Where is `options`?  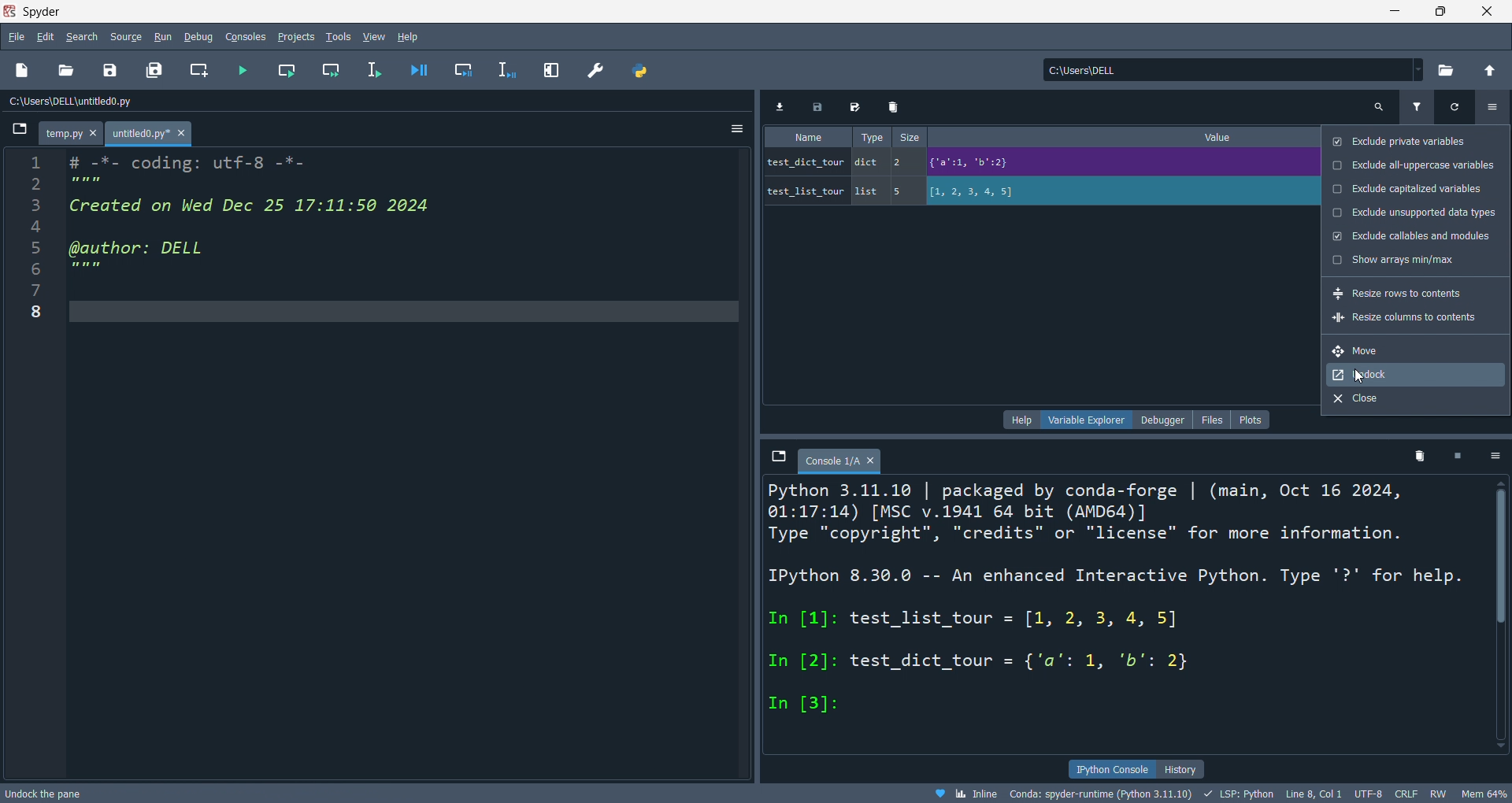
options is located at coordinates (732, 129).